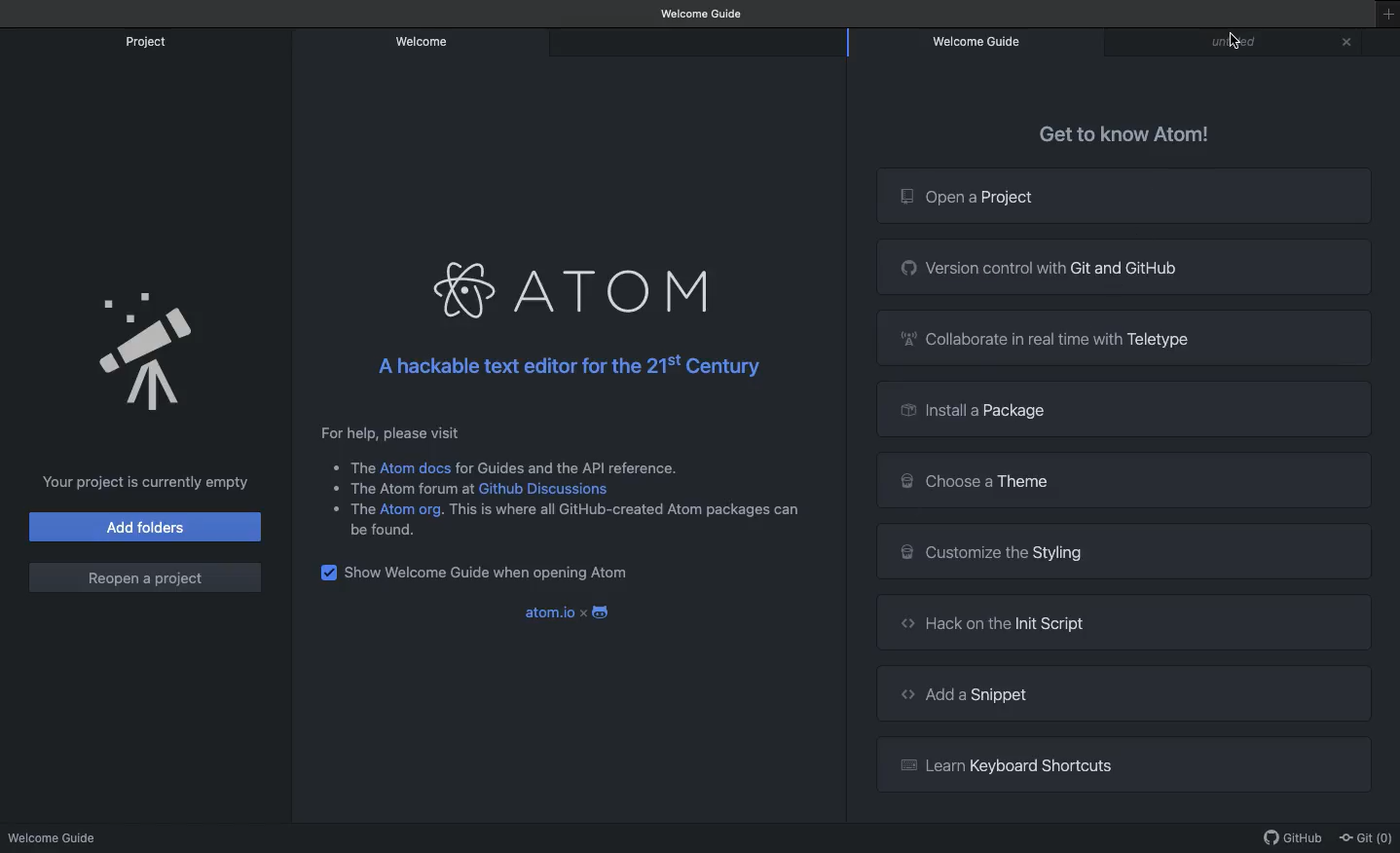  Describe the element at coordinates (542, 491) in the screenshot. I see `Github Discussion Link` at that location.